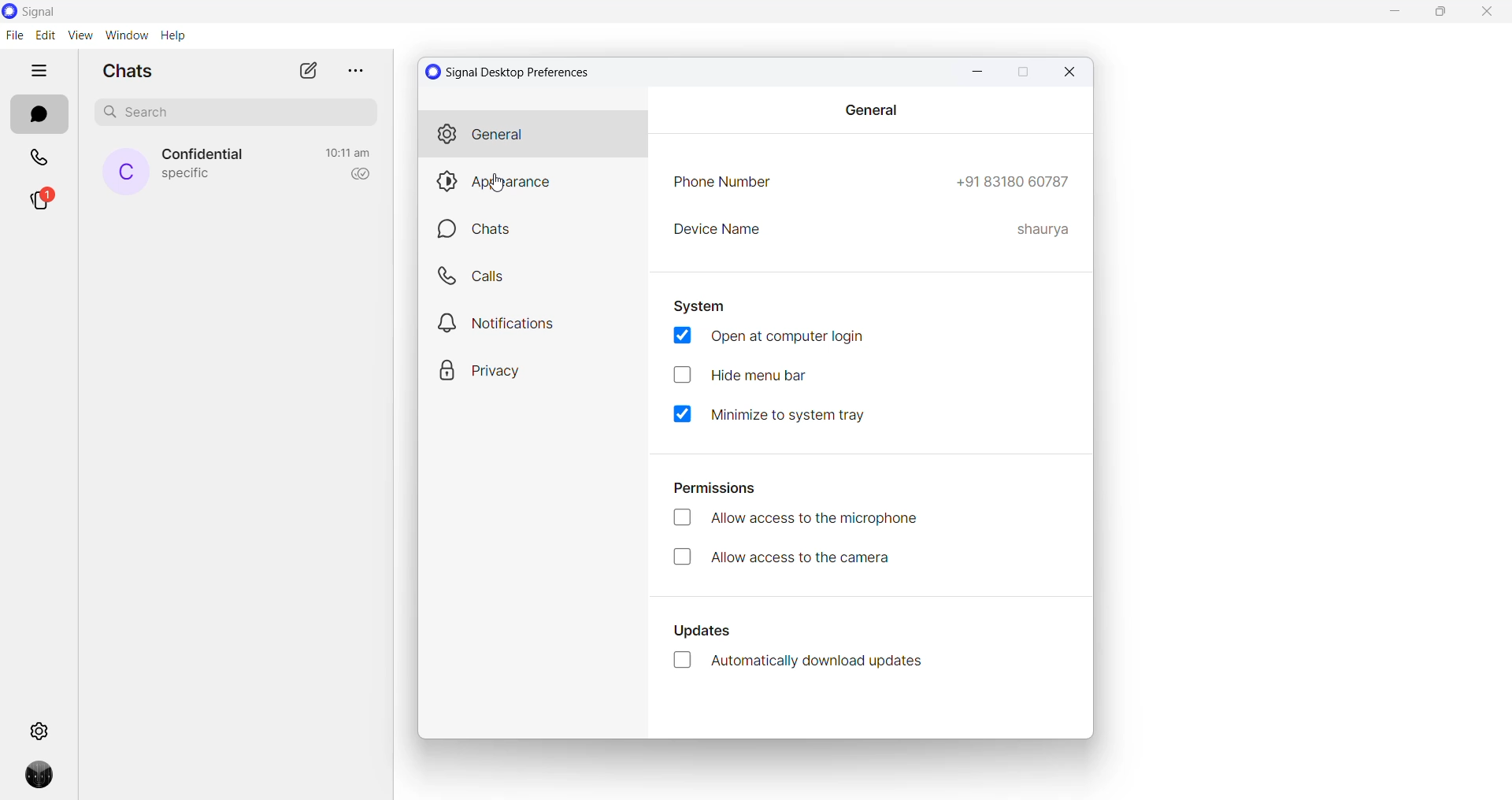 The image size is (1512, 800). I want to click on computer login checkbox, so click(773, 338).